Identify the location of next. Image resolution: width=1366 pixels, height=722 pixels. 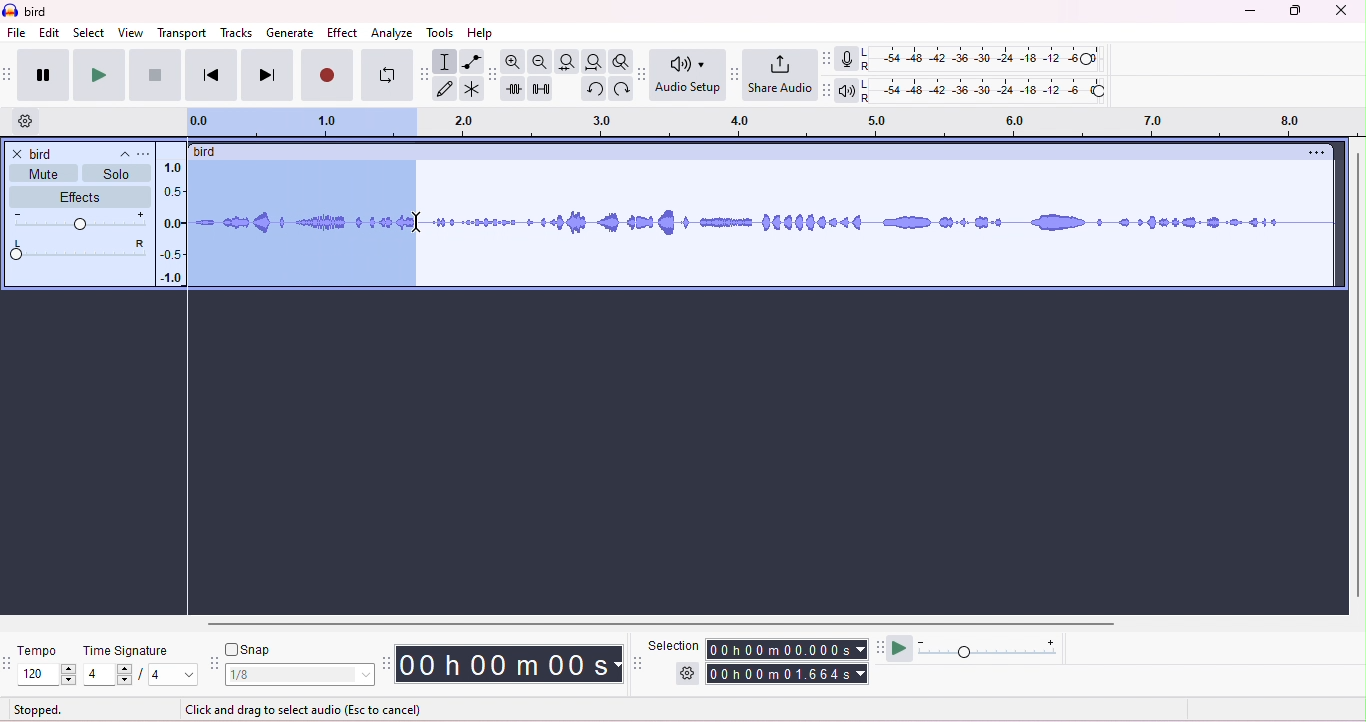
(268, 75).